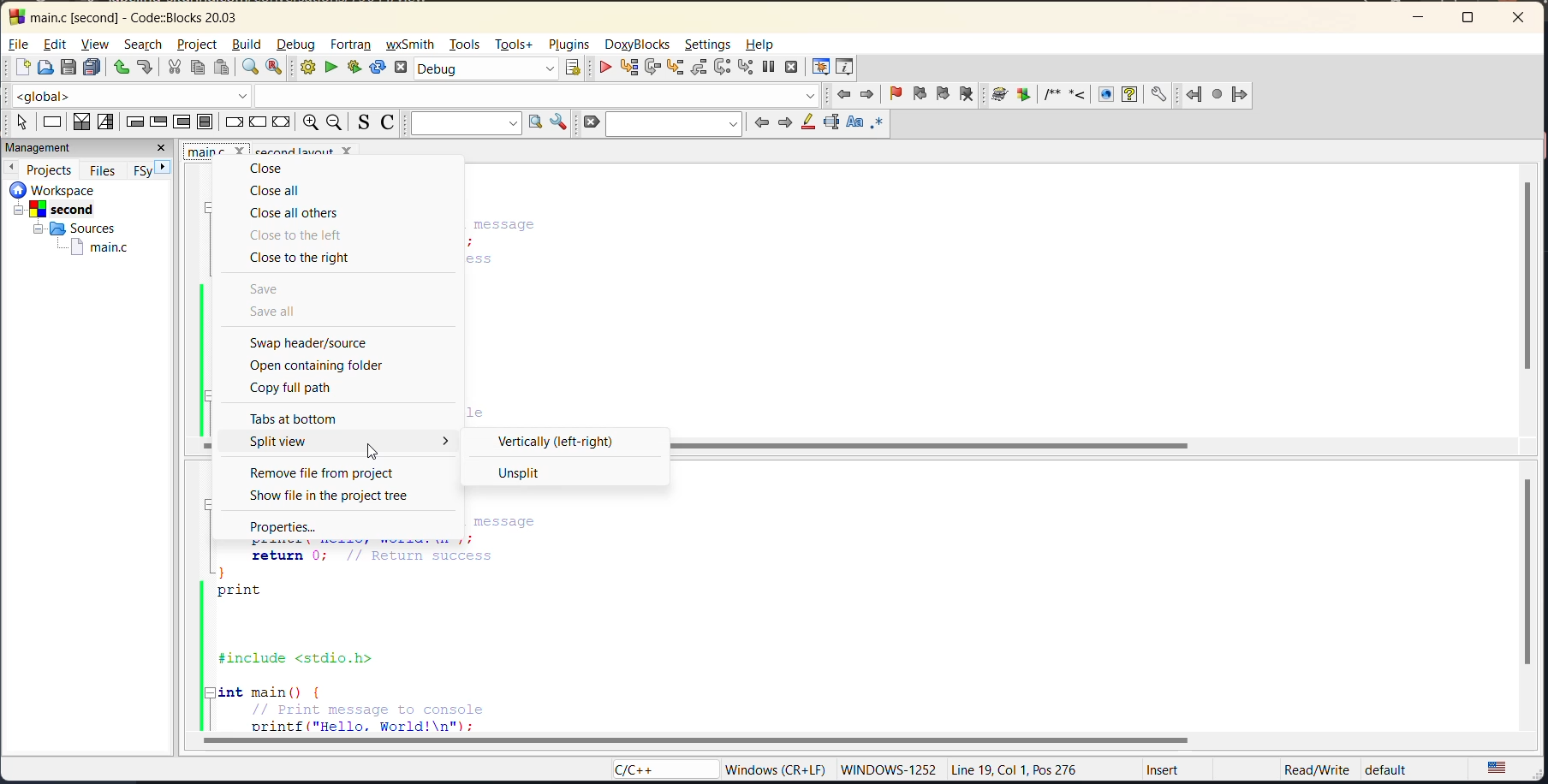 This screenshot has height=784, width=1548. What do you see at coordinates (269, 289) in the screenshot?
I see `save` at bounding box center [269, 289].